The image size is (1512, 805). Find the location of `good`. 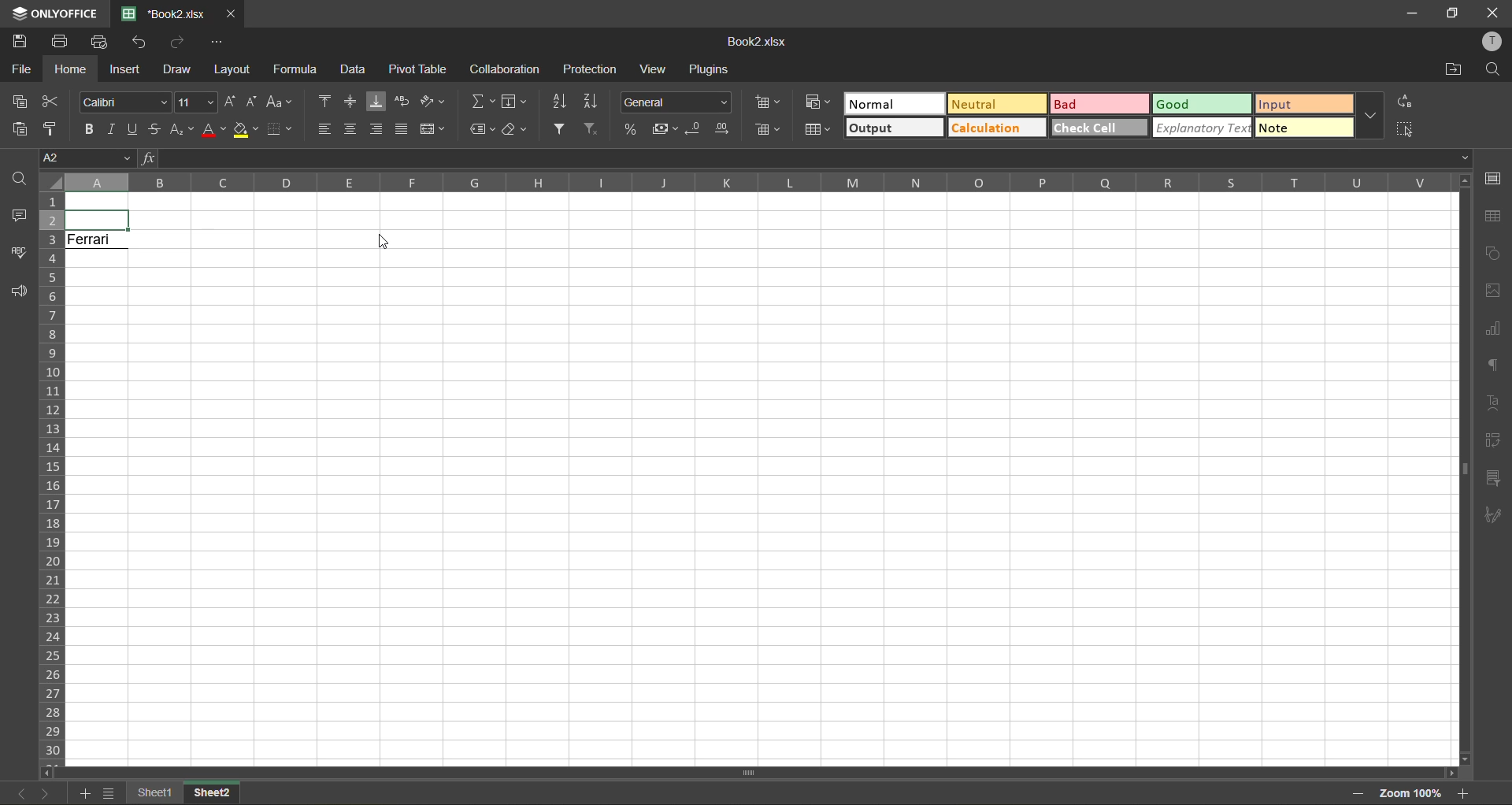

good is located at coordinates (1203, 105).